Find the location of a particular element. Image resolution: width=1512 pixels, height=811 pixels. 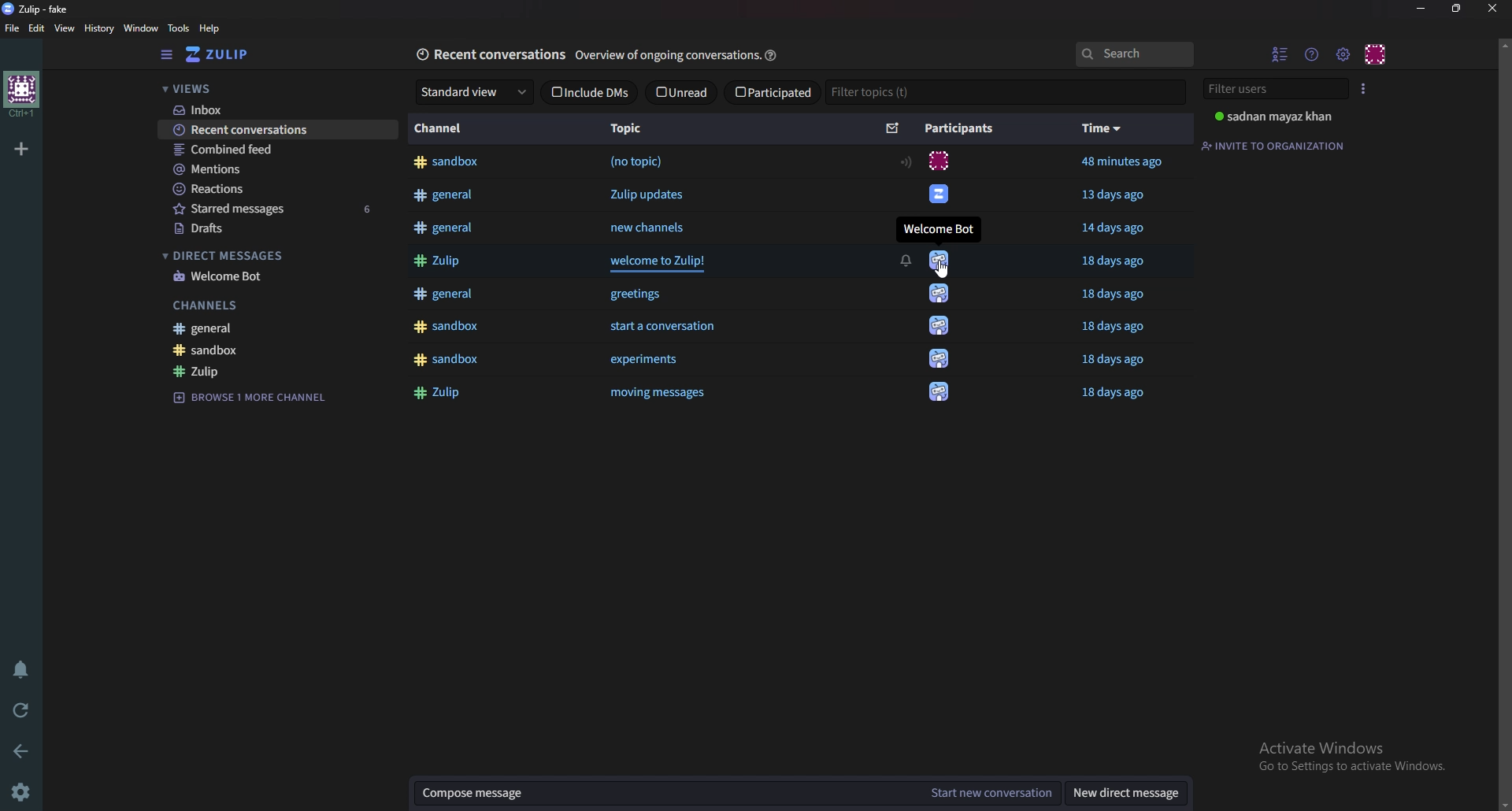

experiments is located at coordinates (644, 361).